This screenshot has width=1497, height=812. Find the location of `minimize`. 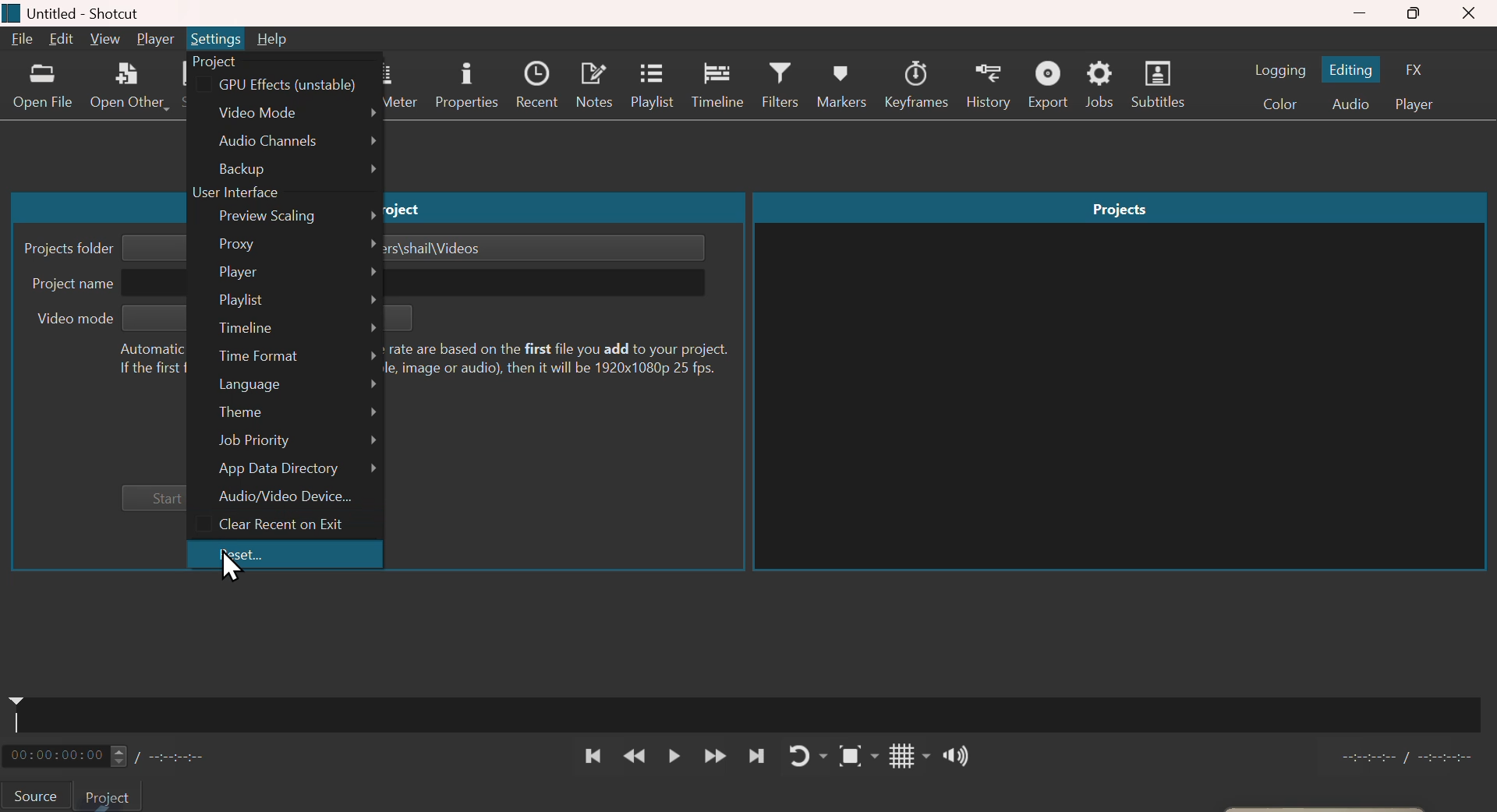

minimize is located at coordinates (1361, 13).